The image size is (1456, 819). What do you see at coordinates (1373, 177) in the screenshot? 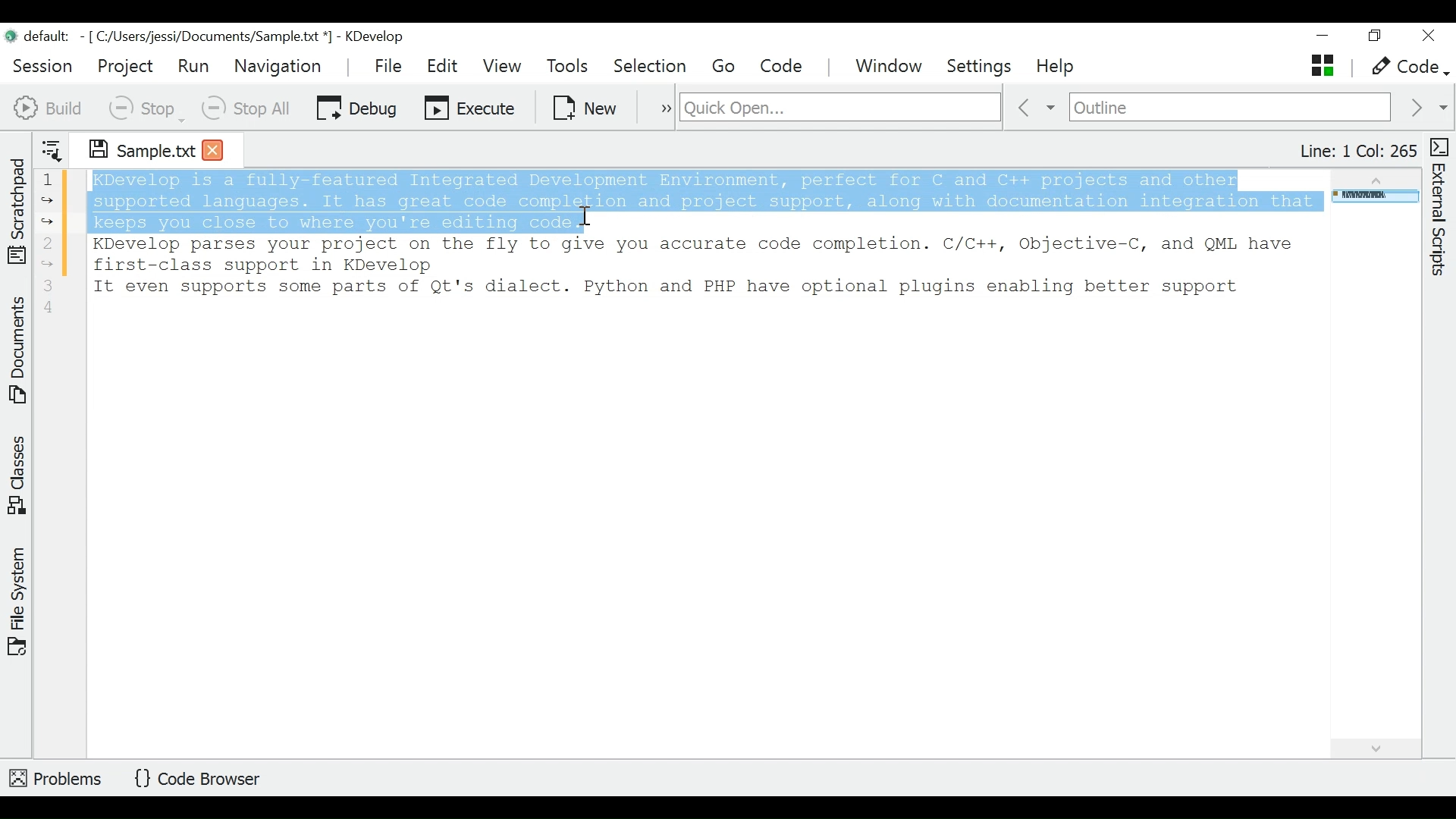
I see `Scroll up` at bounding box center [1373, 177].